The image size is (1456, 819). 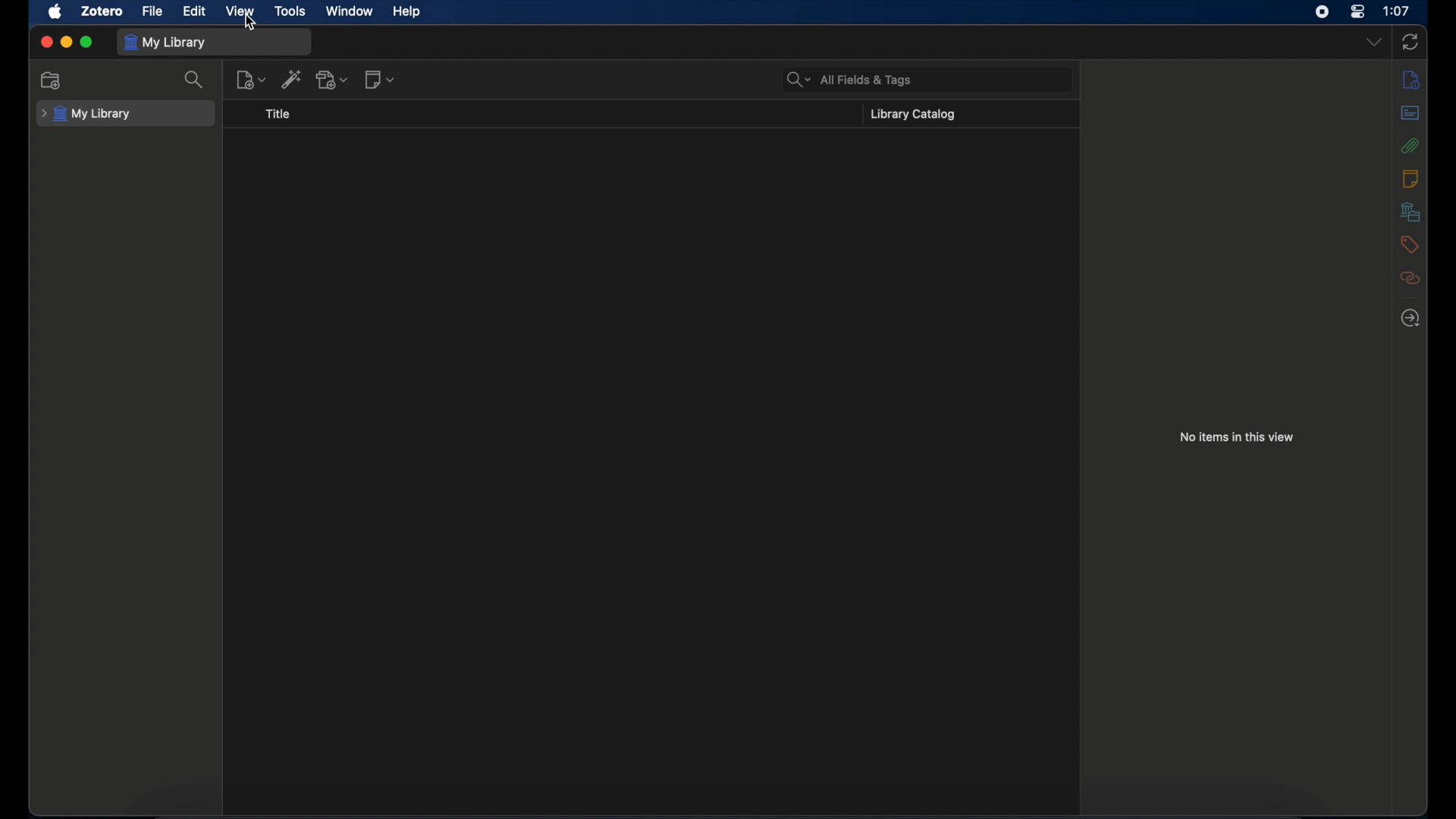 What do you see at coordinates (196, 11) in the screenshot?
I see `edit` at bounding box center [196, 11].